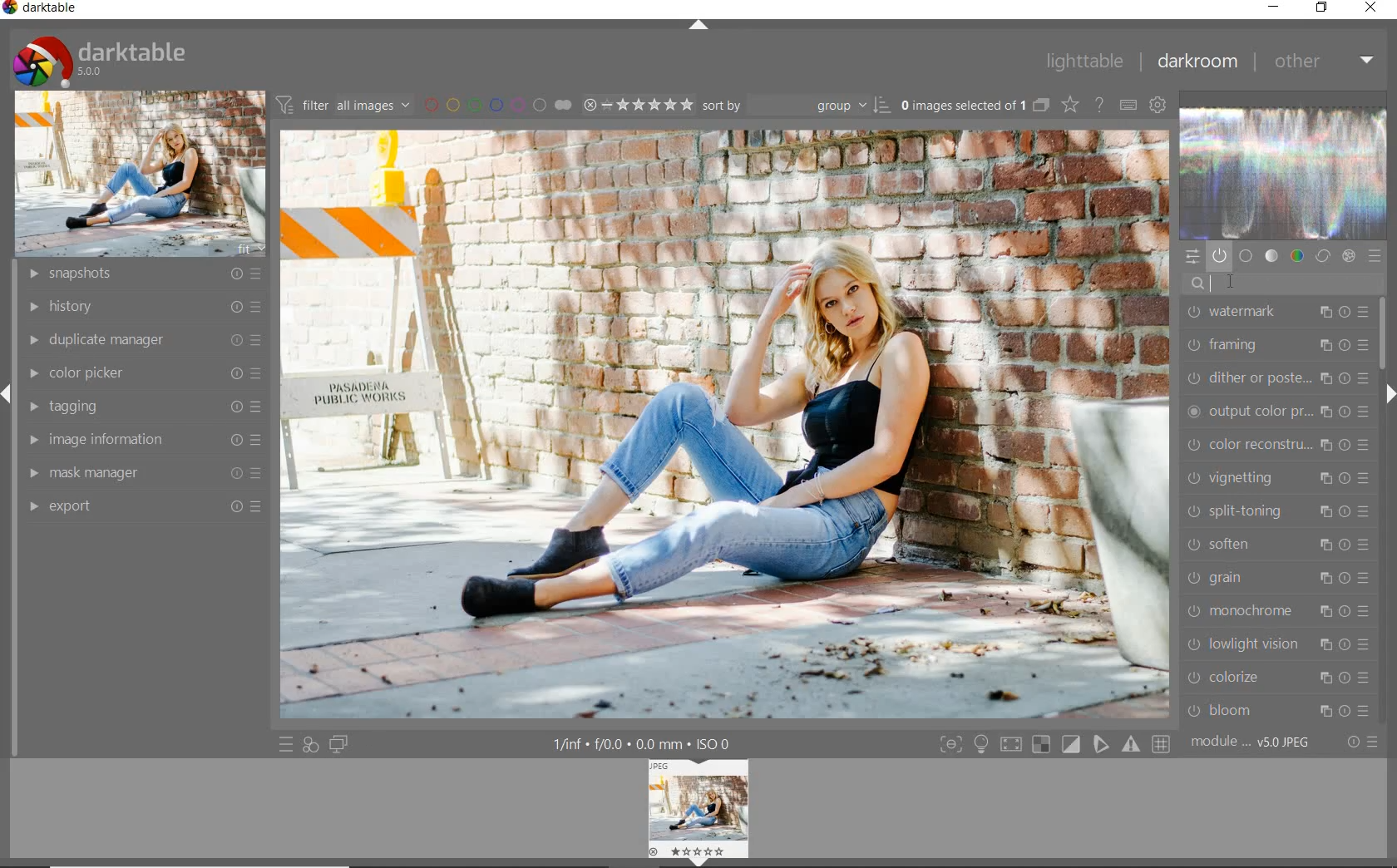 The width and height of the screenshot is (1397, 868). Describe the element at coordinates (638, 106) in the screenshot. I see `selected Image range rating` at that location.